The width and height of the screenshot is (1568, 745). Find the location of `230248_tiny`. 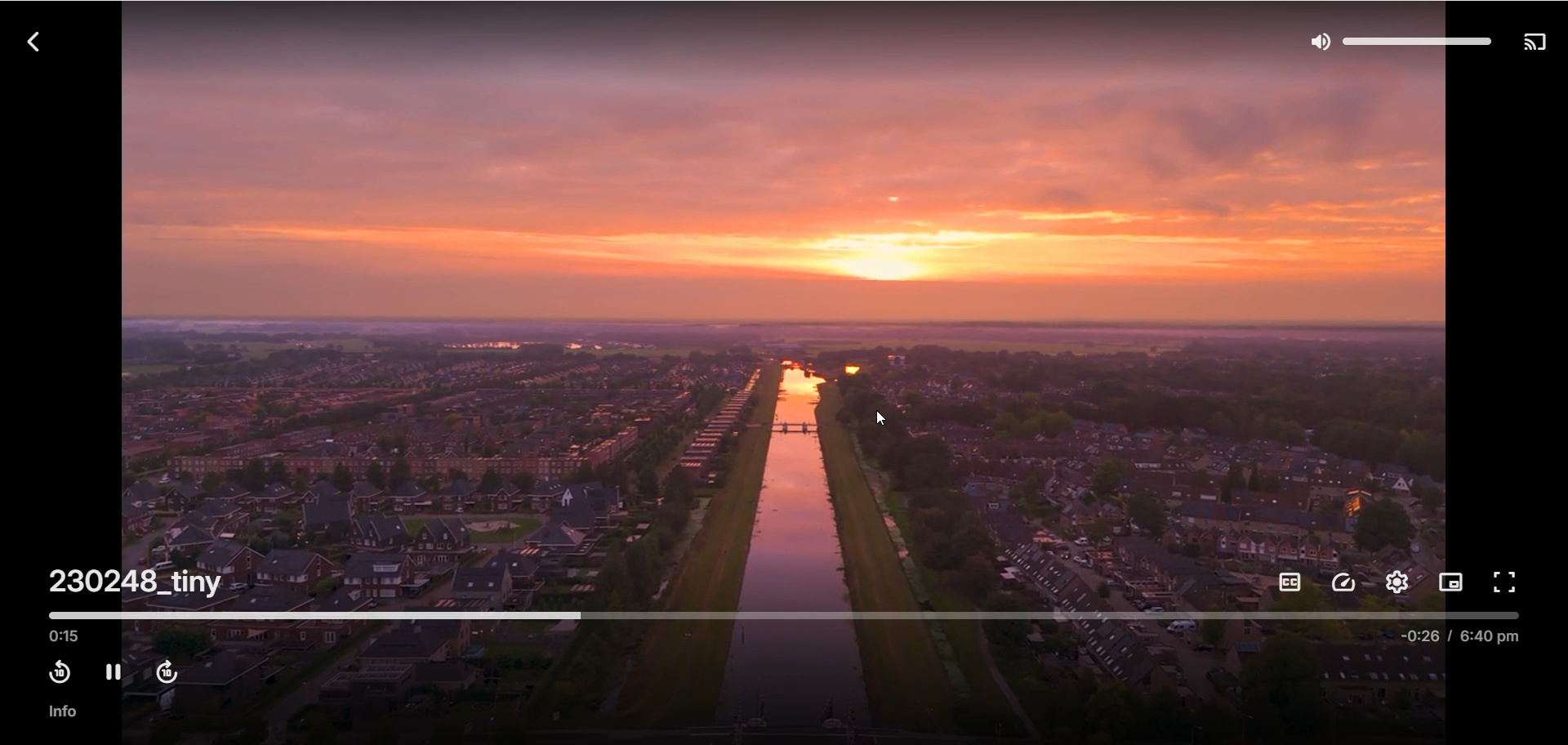

230248_tiny is located at coordinates (116, 578).